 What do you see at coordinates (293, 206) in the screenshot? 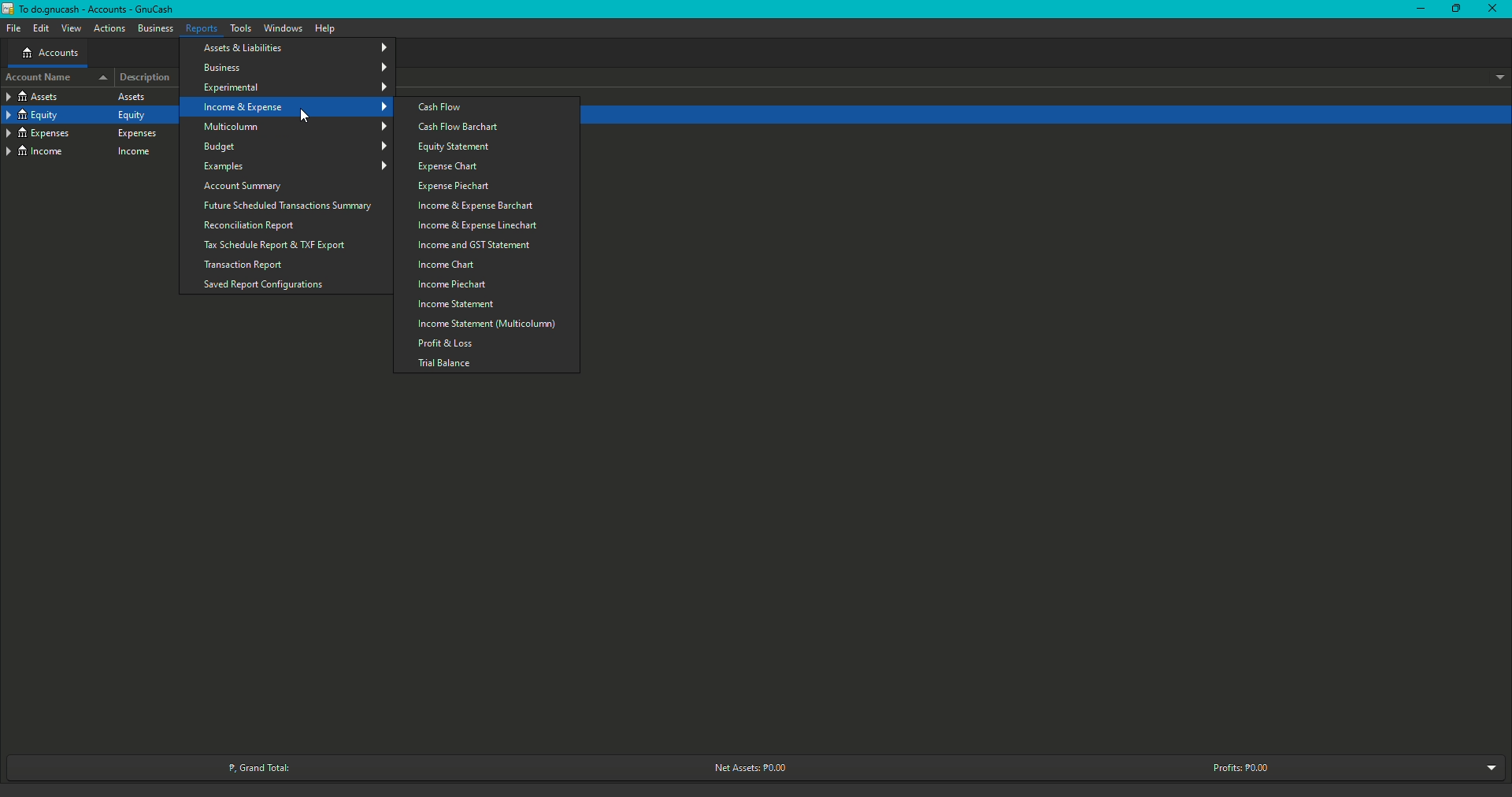
I see `Future Scheduled Transactions Summary` at bounding box center [293, 206].